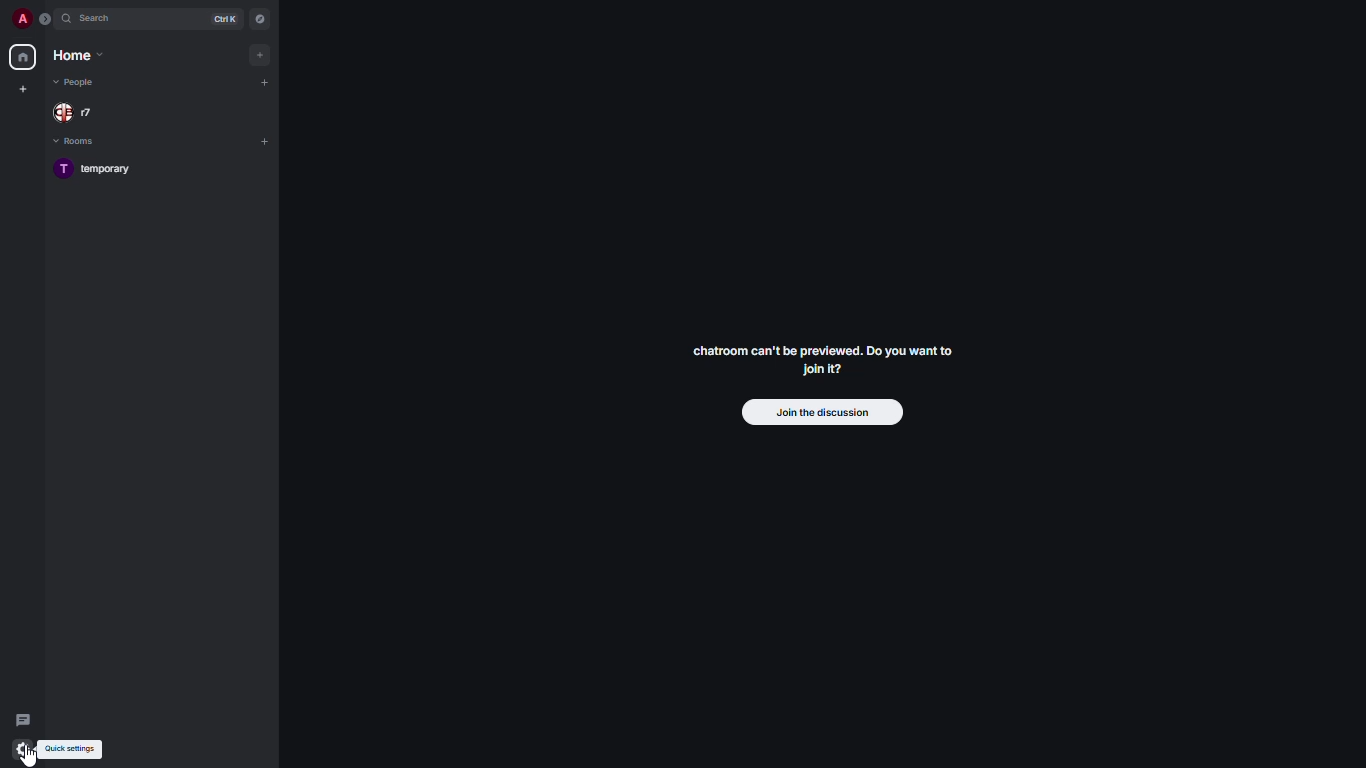  Describe the element at coordinates (31, 755) in the screenshot. I see `cursor` at that location.